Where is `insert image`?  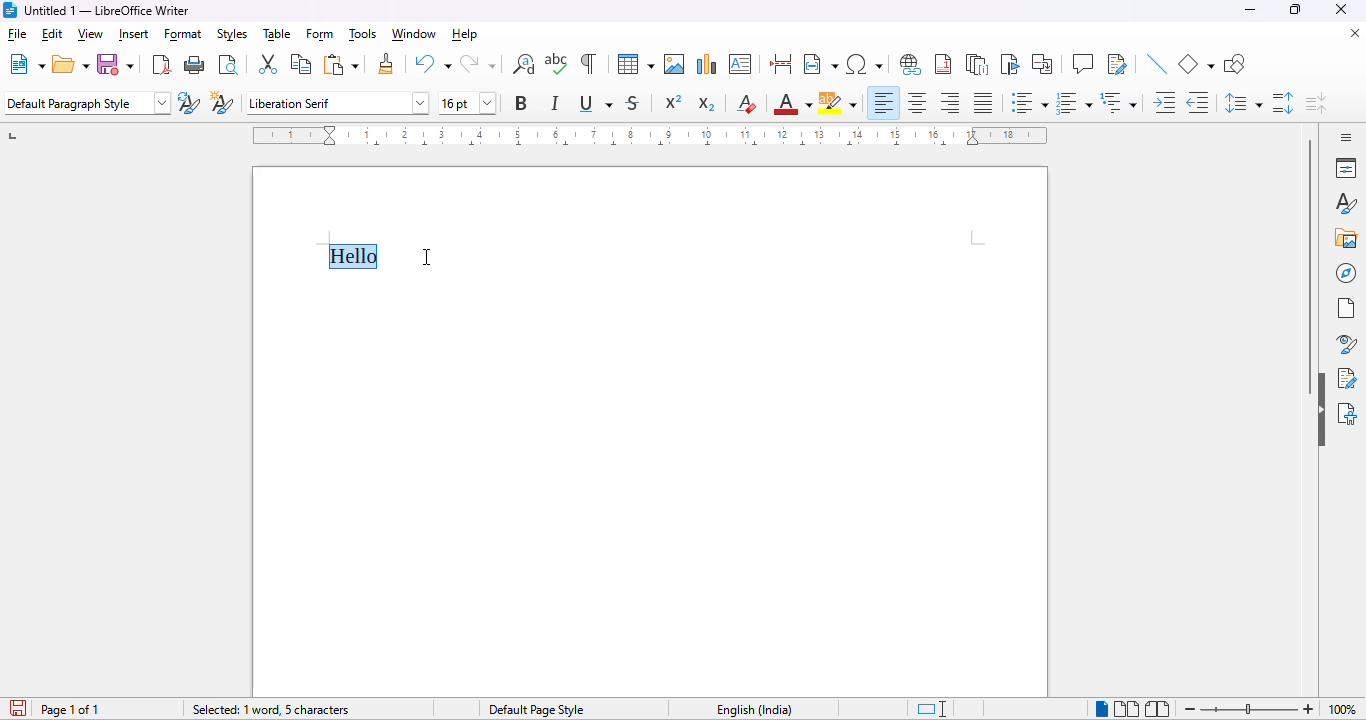
insert image is located at coordinates (674, 64).